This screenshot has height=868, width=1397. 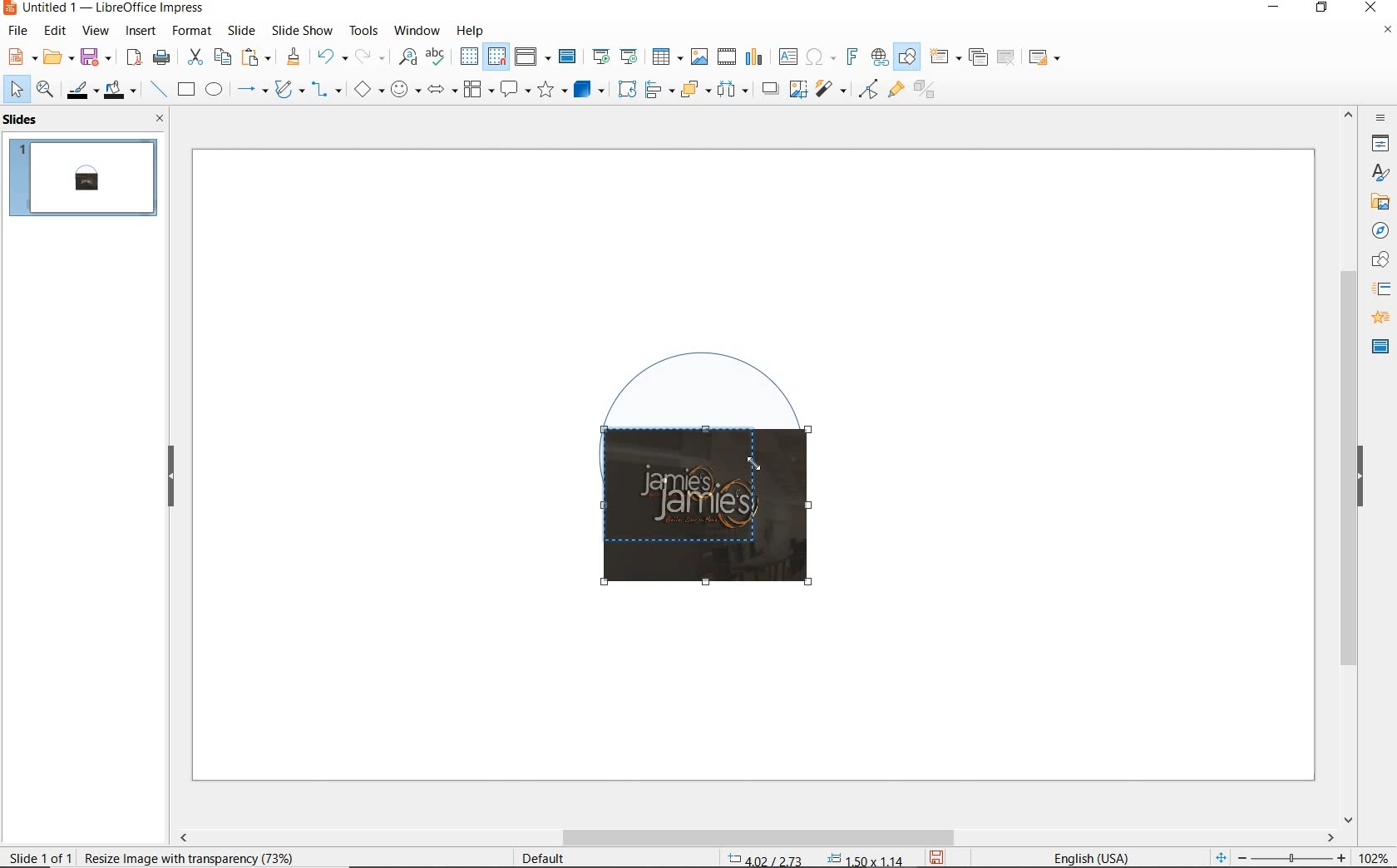 I want to click on curves & polygons, so click(x=289, y=90).